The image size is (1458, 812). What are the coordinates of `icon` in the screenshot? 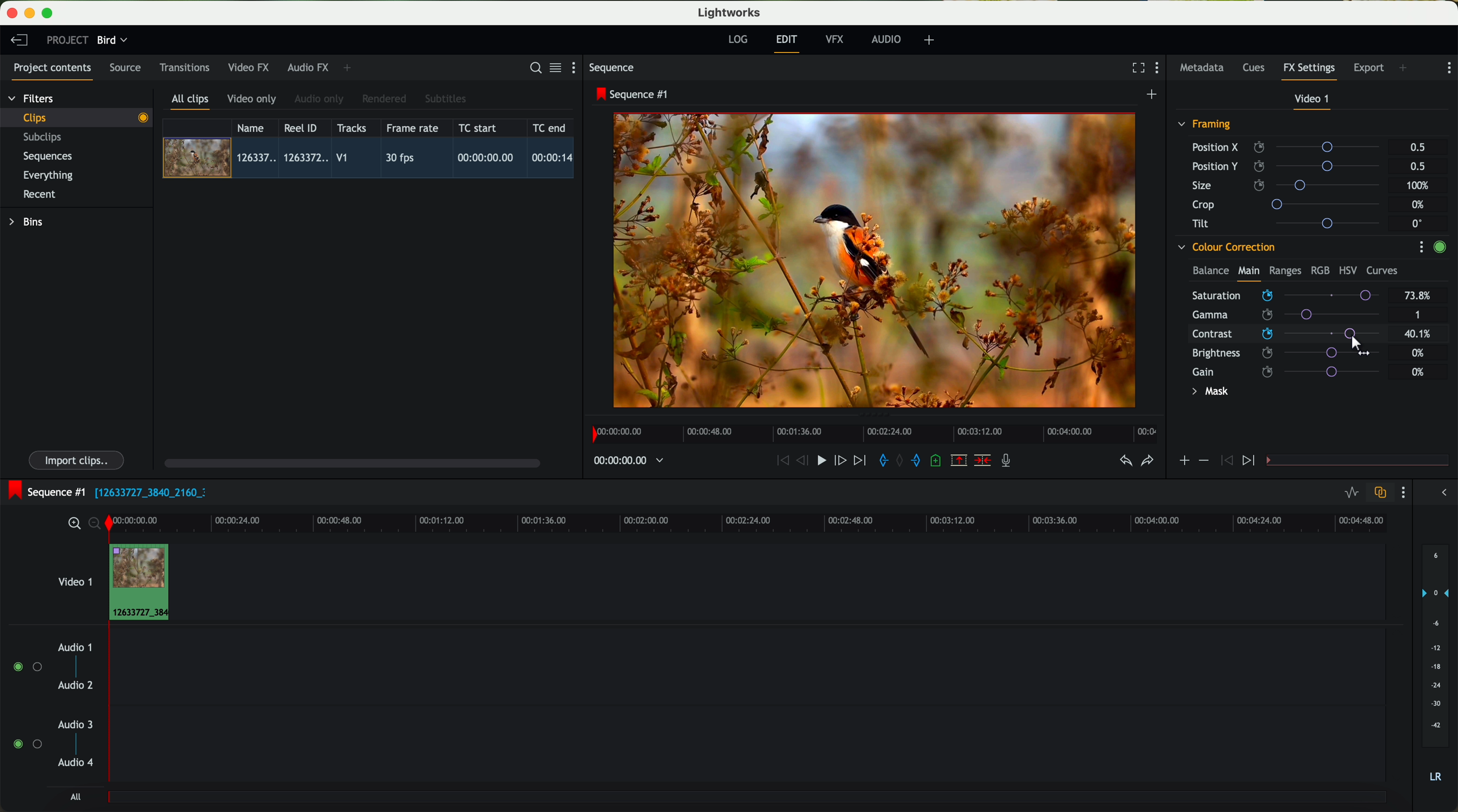 It's located at (1203, 461).